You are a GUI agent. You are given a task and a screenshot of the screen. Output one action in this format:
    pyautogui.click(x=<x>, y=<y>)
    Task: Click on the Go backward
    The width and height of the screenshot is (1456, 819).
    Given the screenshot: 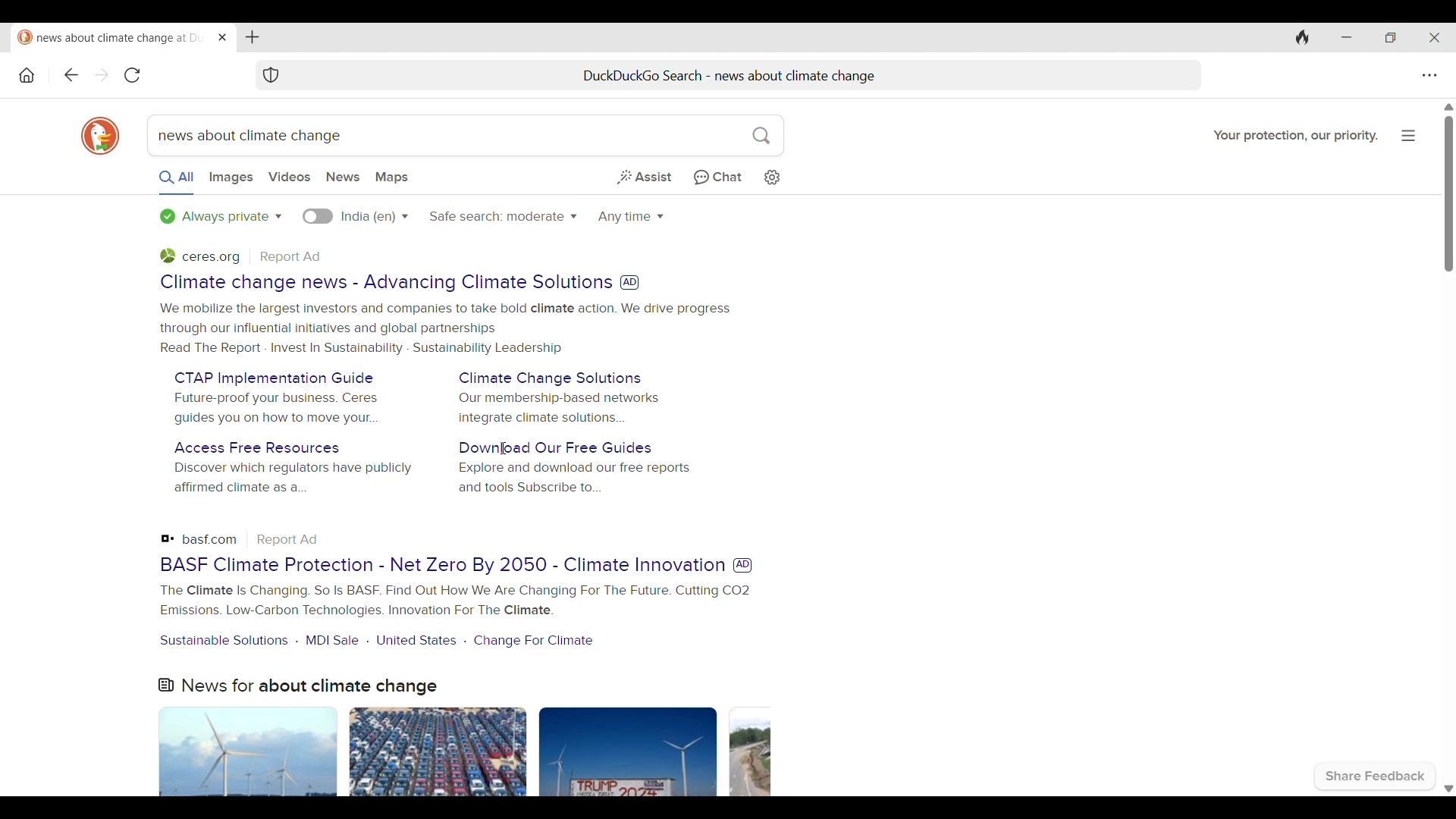 What is the action you would take?
    pyautogui.click(x=71, y=74)
    